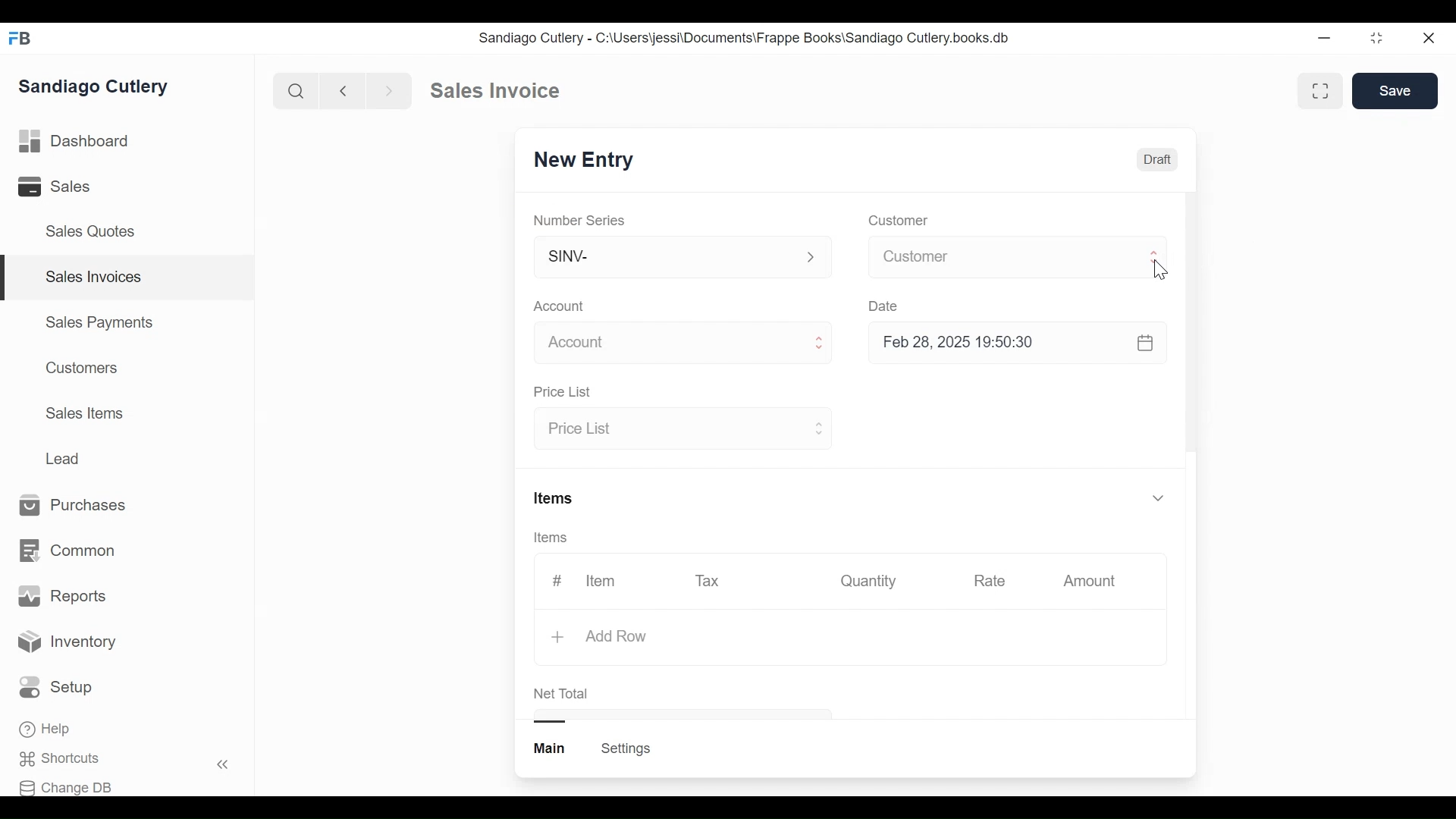 This screenshot has height=819, width=1456. Describe the element at coordinates (708, 580) in the screenshot. I see `Tax` at that location.